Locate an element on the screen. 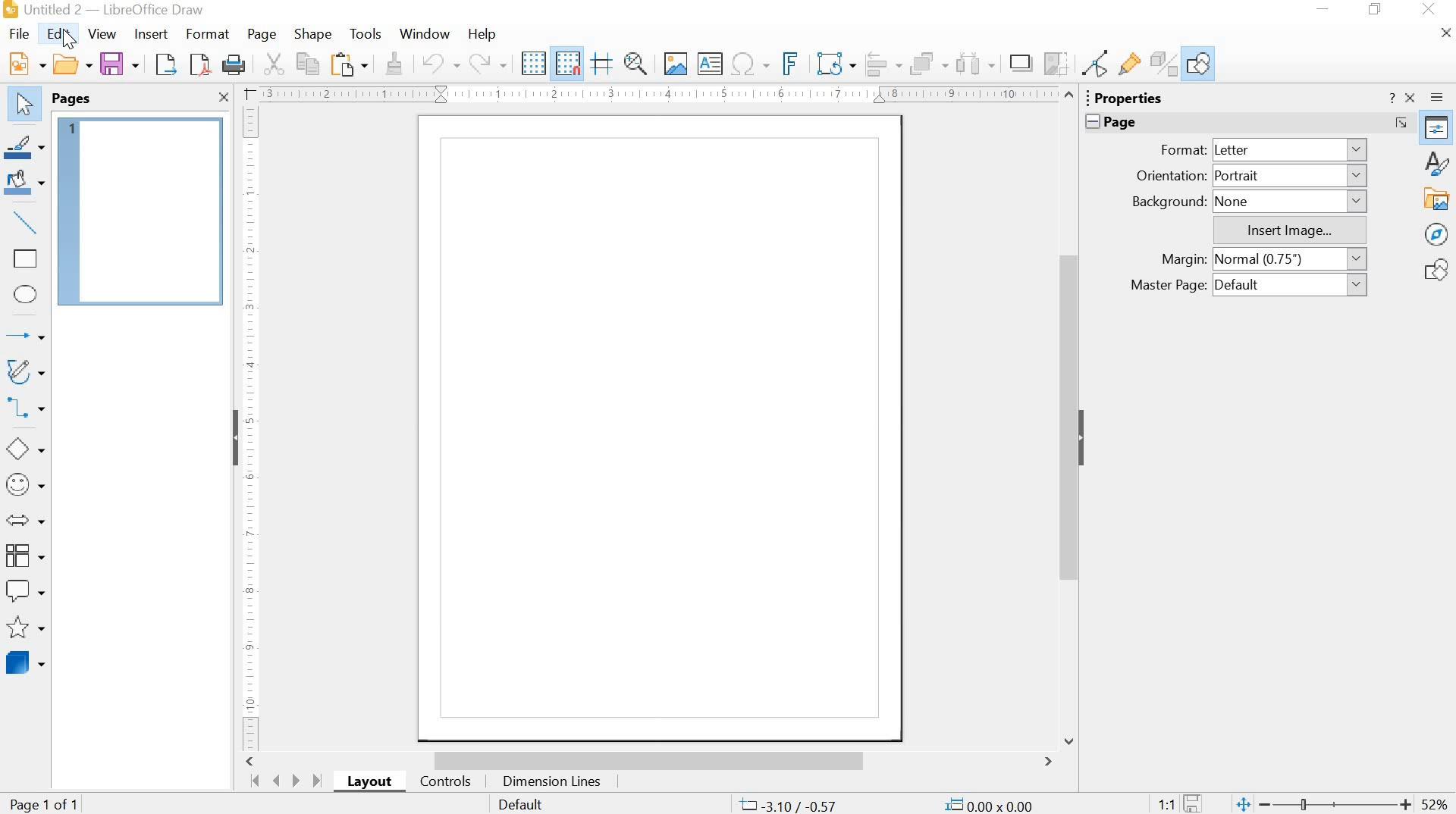 This screenshot has width=1456, height=814. Background is located at coordinates (1169, 201).